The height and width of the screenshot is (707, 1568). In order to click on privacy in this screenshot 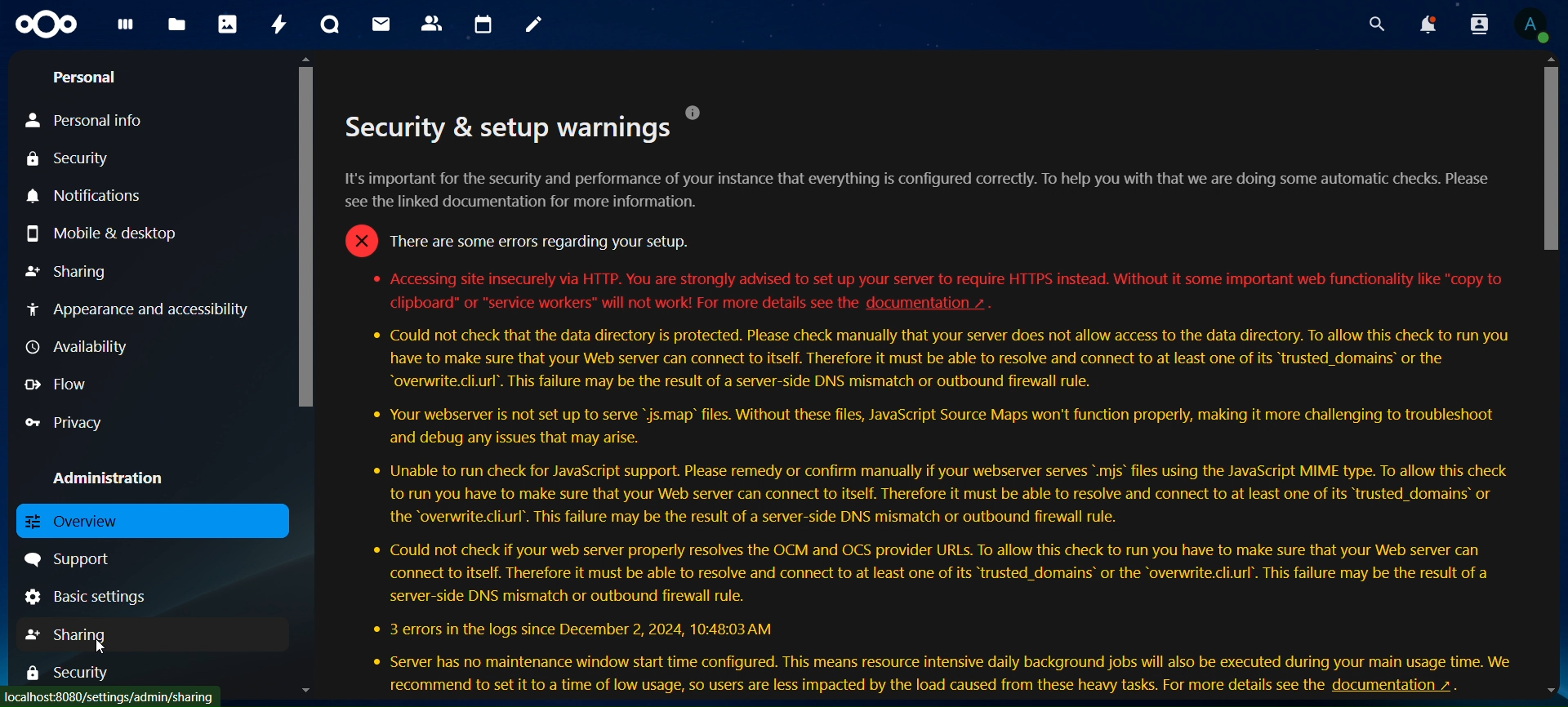, I will do `click(65, 424)`.